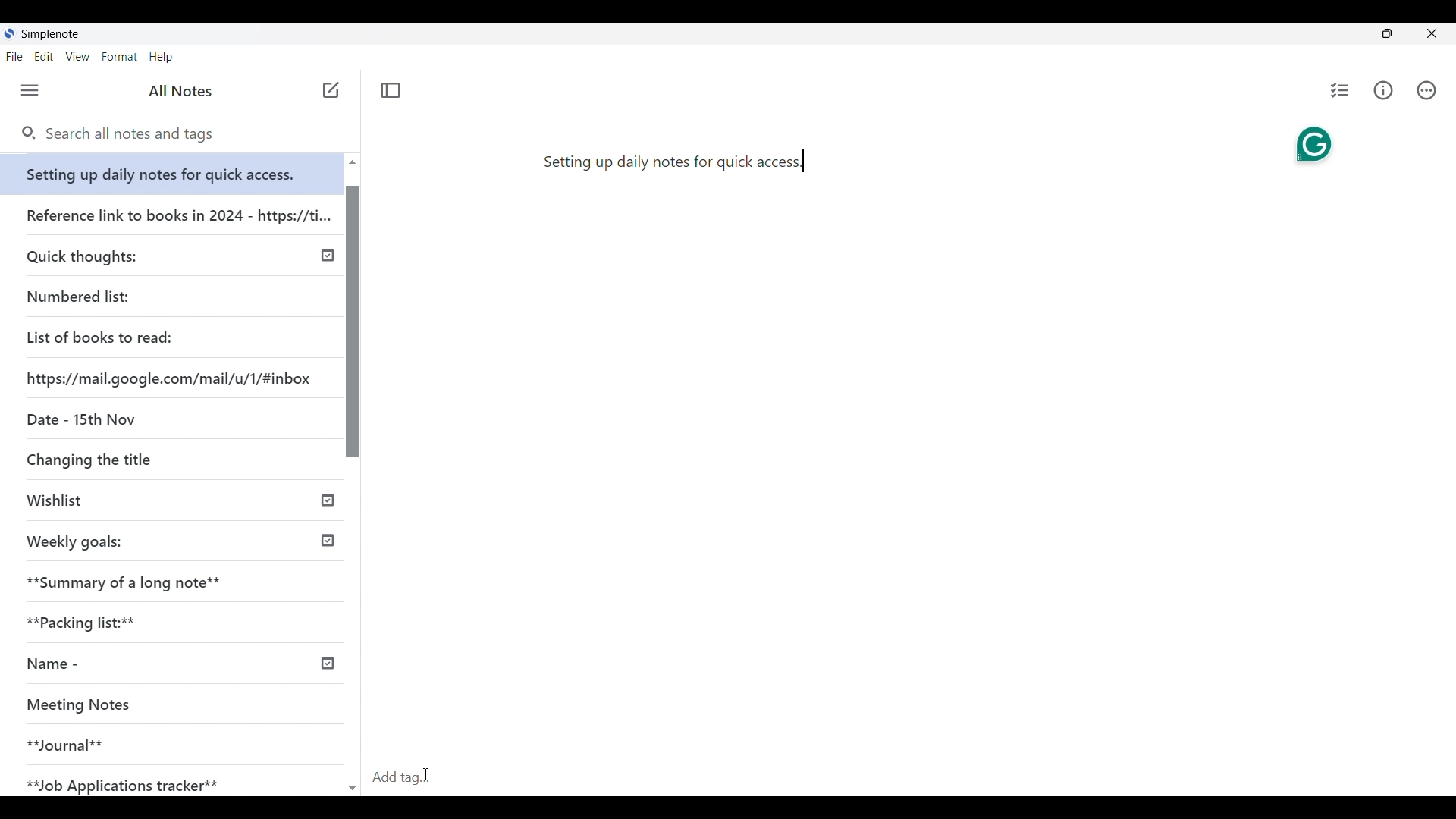 This screenshot has width=1456, height=819. What do you see at coordinates (1339, 90) in the screenshot?
I see `Insert checklist` at bounding box center [1339, 90].